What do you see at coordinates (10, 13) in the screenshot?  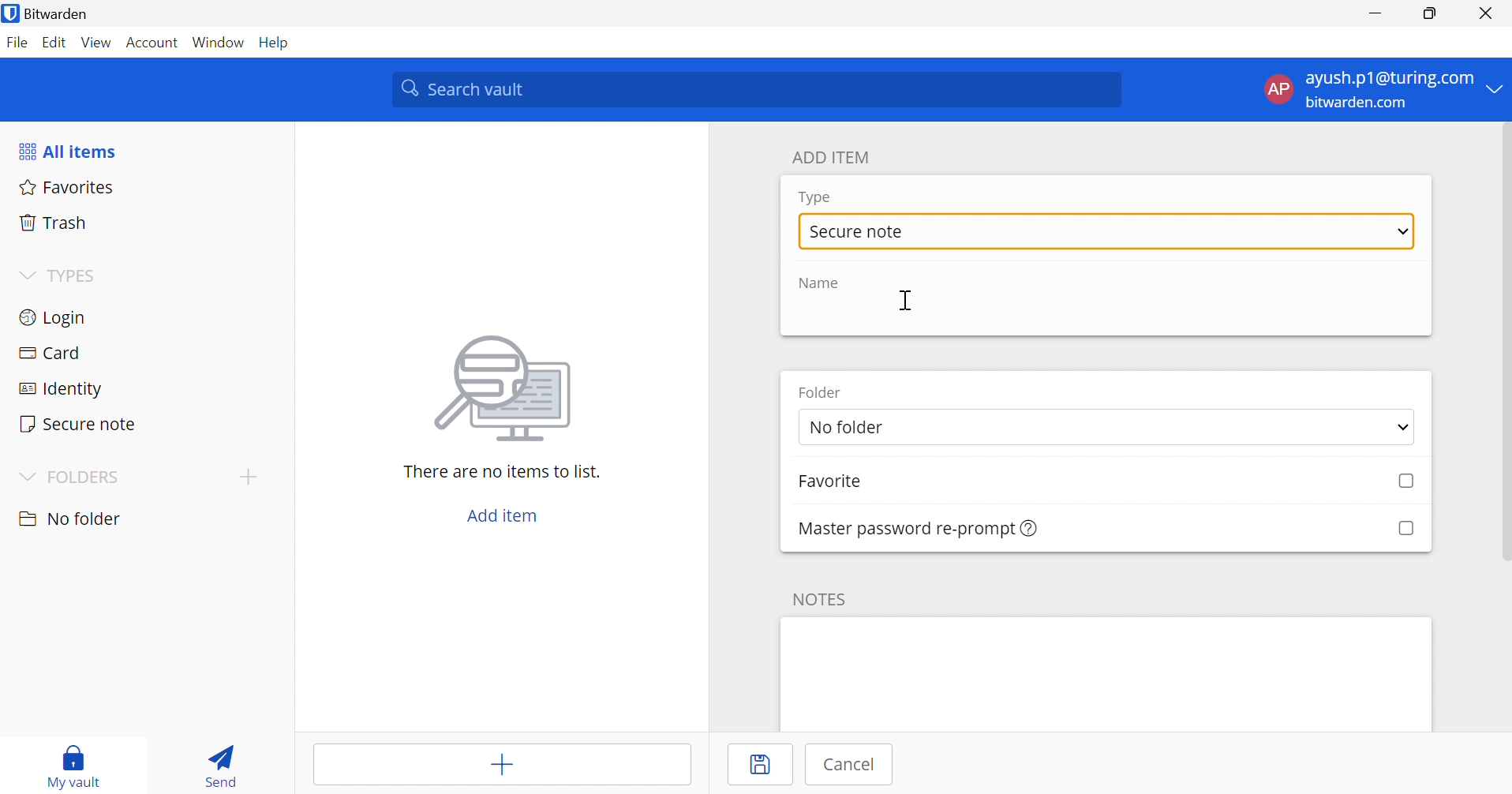 I see `bitwarden logo` at bounding box center [10, 13].